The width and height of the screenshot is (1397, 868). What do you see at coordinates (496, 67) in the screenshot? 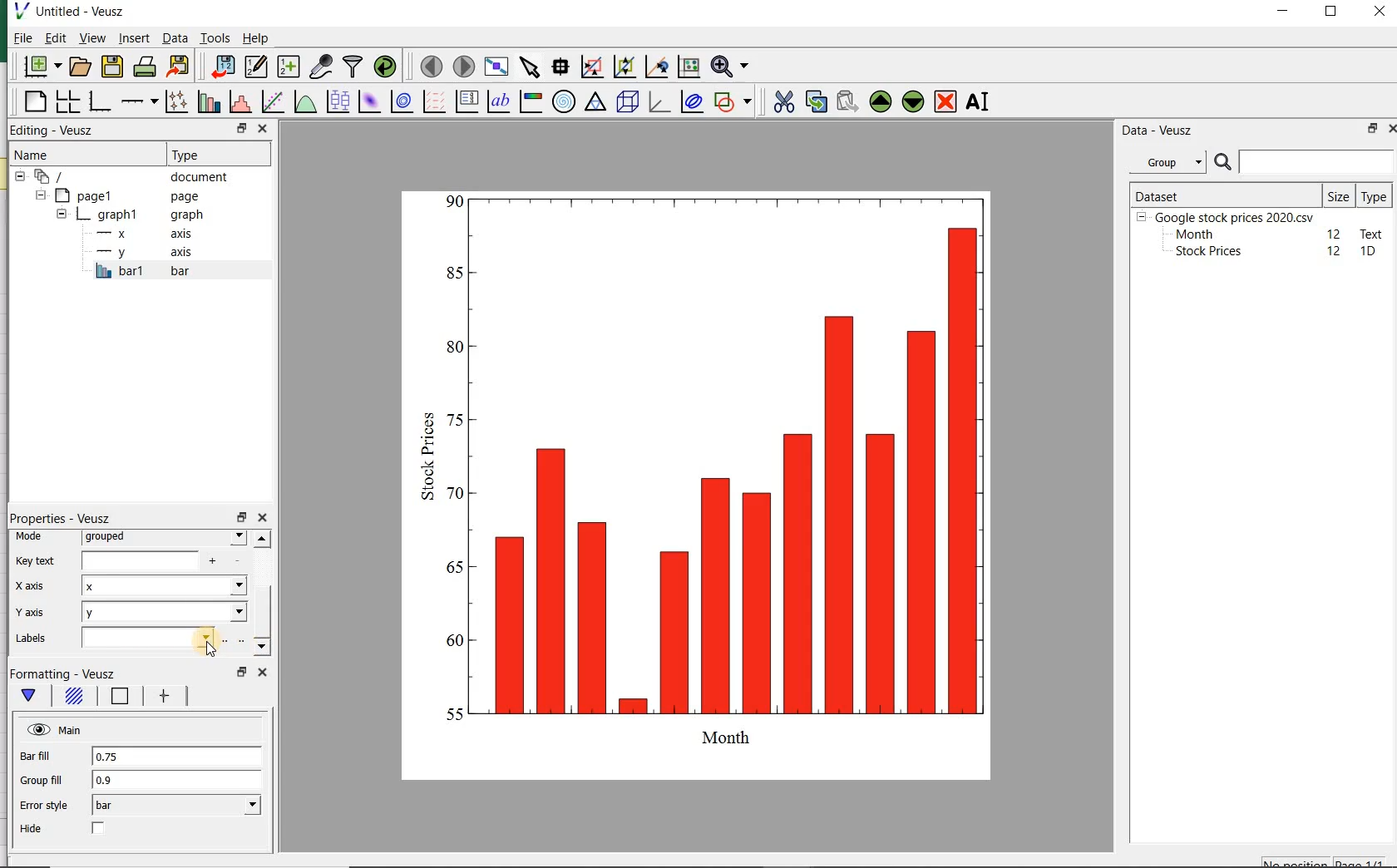
I see `view plot full screen` at bounding box center [496, 67].